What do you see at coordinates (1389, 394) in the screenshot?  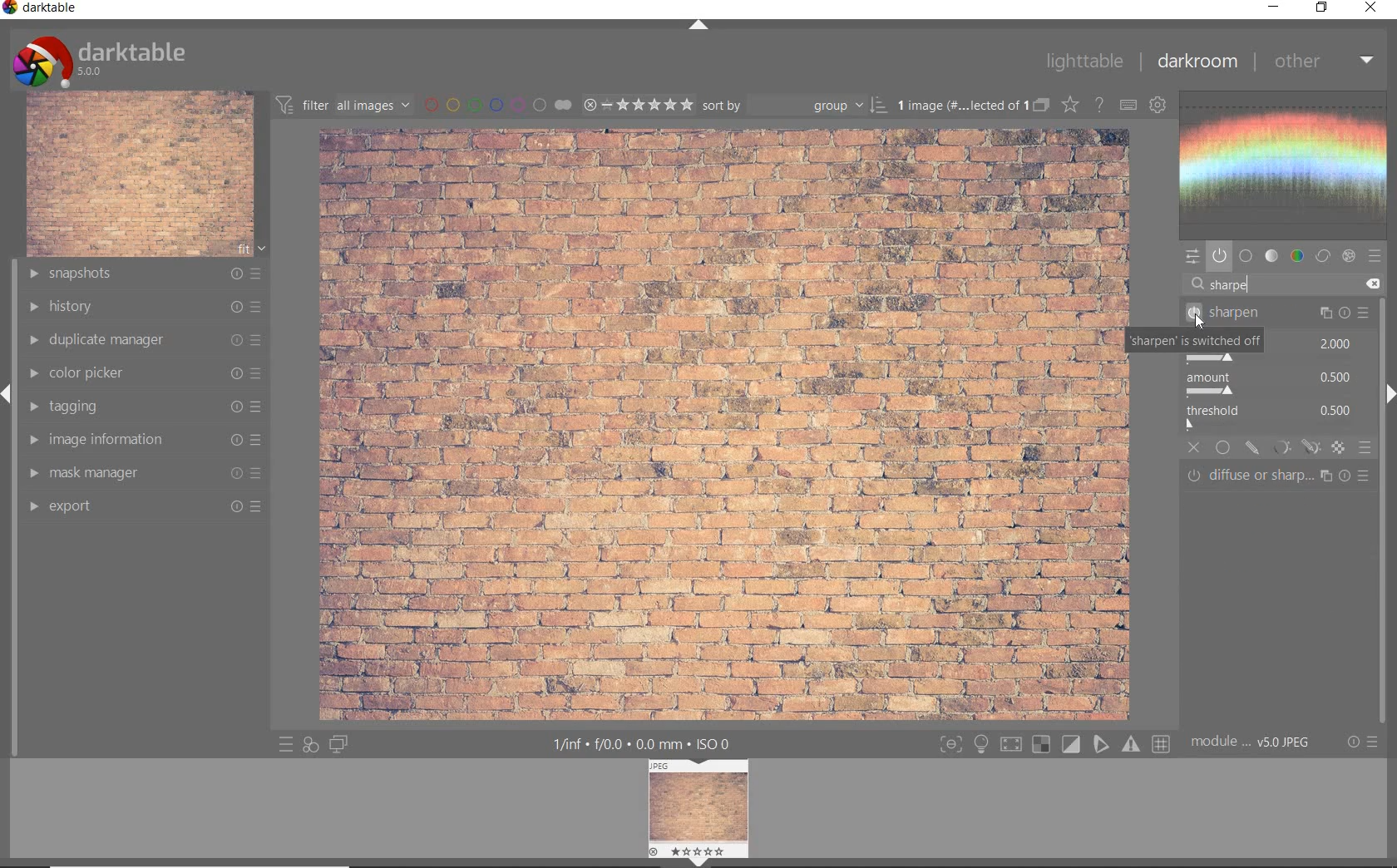 I see `next` at bounding box center [1389, 394].